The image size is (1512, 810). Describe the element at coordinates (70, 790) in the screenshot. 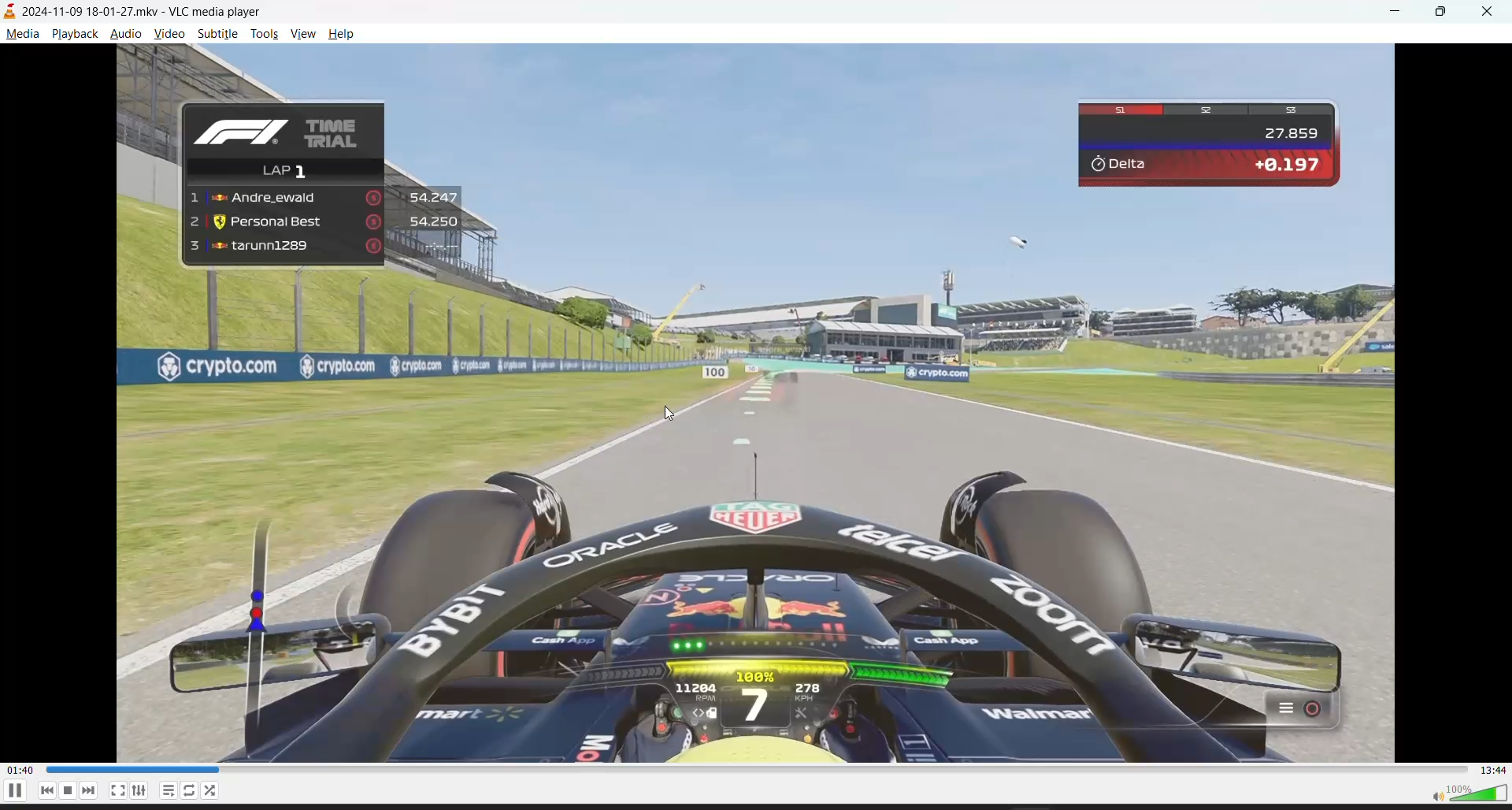

I see `stop` at that location.